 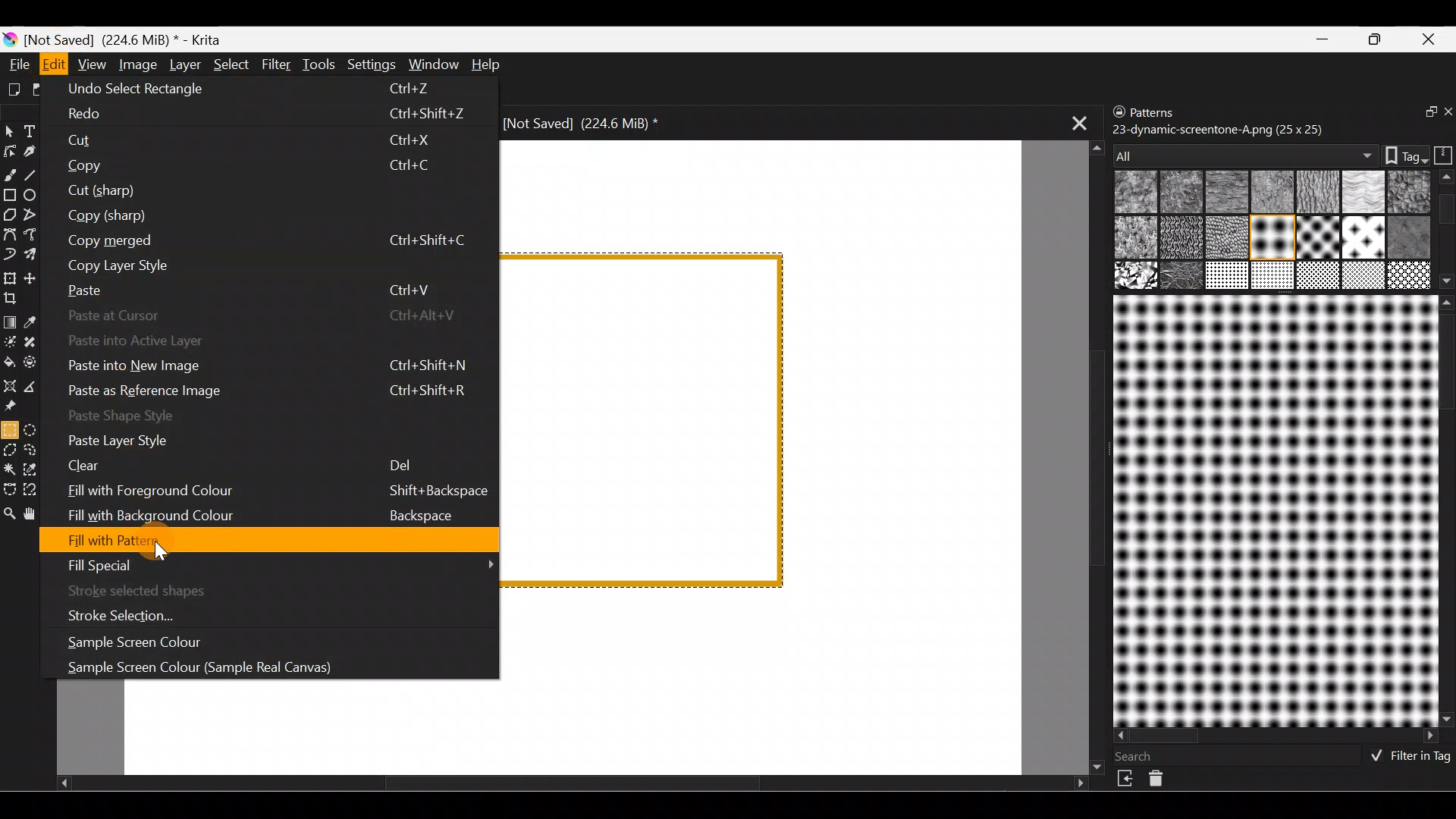 I want to click on Scroll bar, so click(x=1277, y=736).